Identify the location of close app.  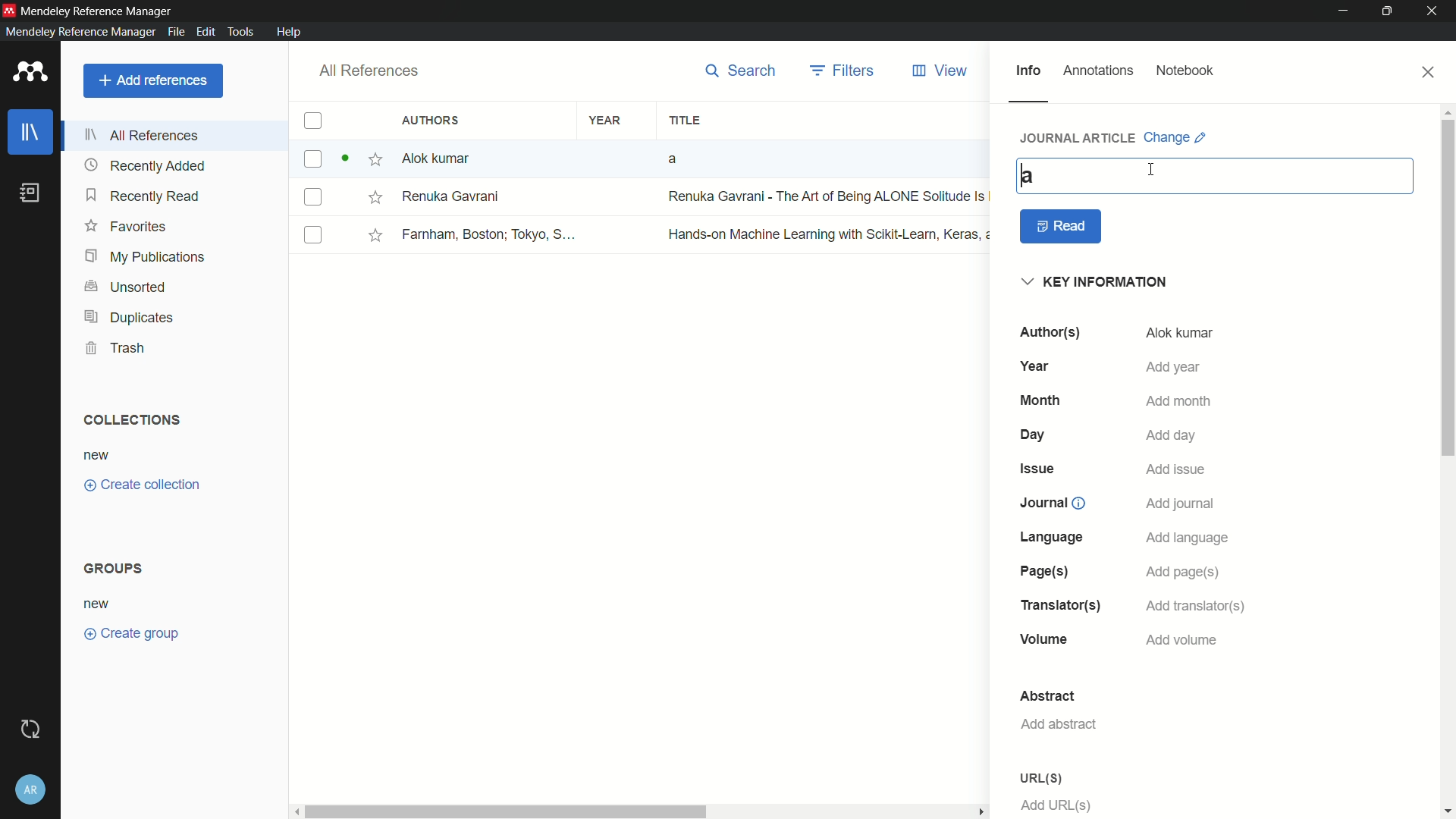
(1435, 11).